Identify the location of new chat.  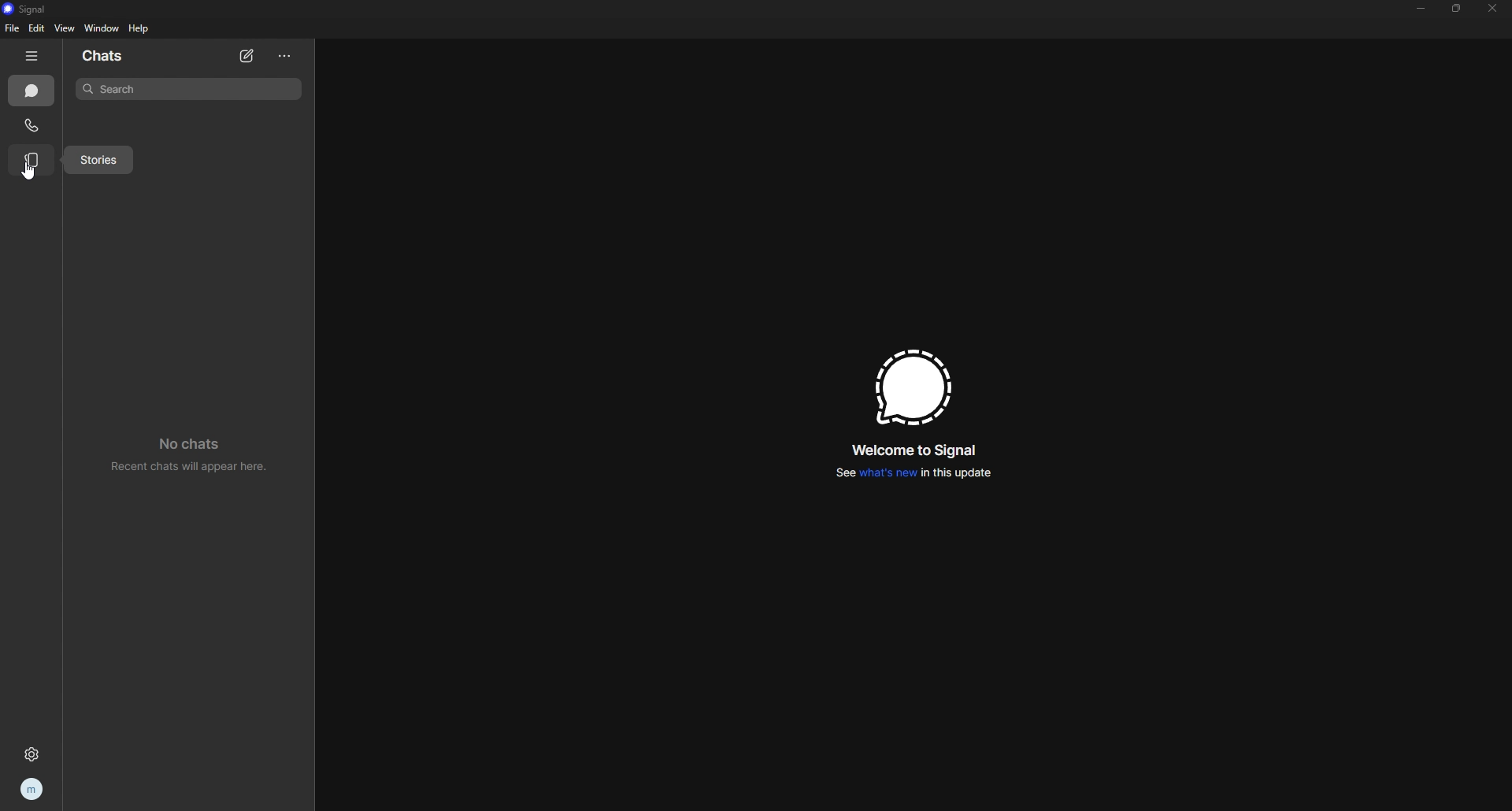
(247, 55).